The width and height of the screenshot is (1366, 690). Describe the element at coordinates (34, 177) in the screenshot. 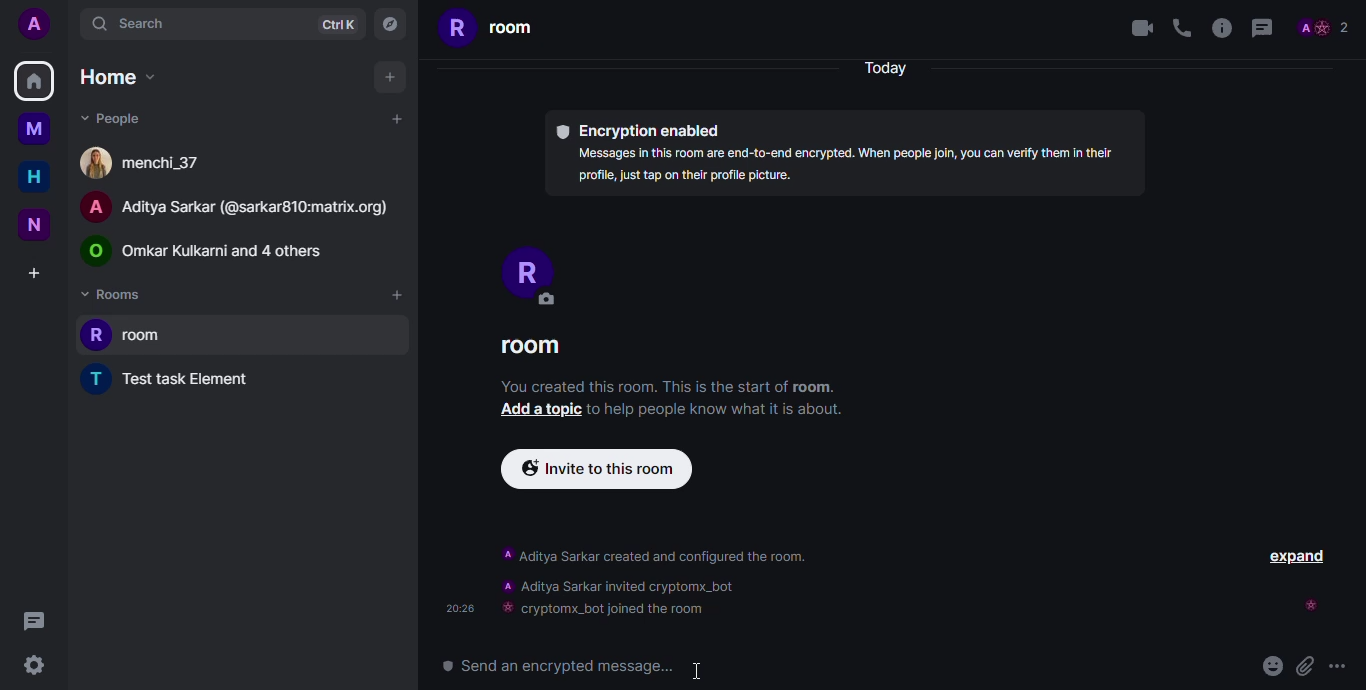

I see `home` at that location.